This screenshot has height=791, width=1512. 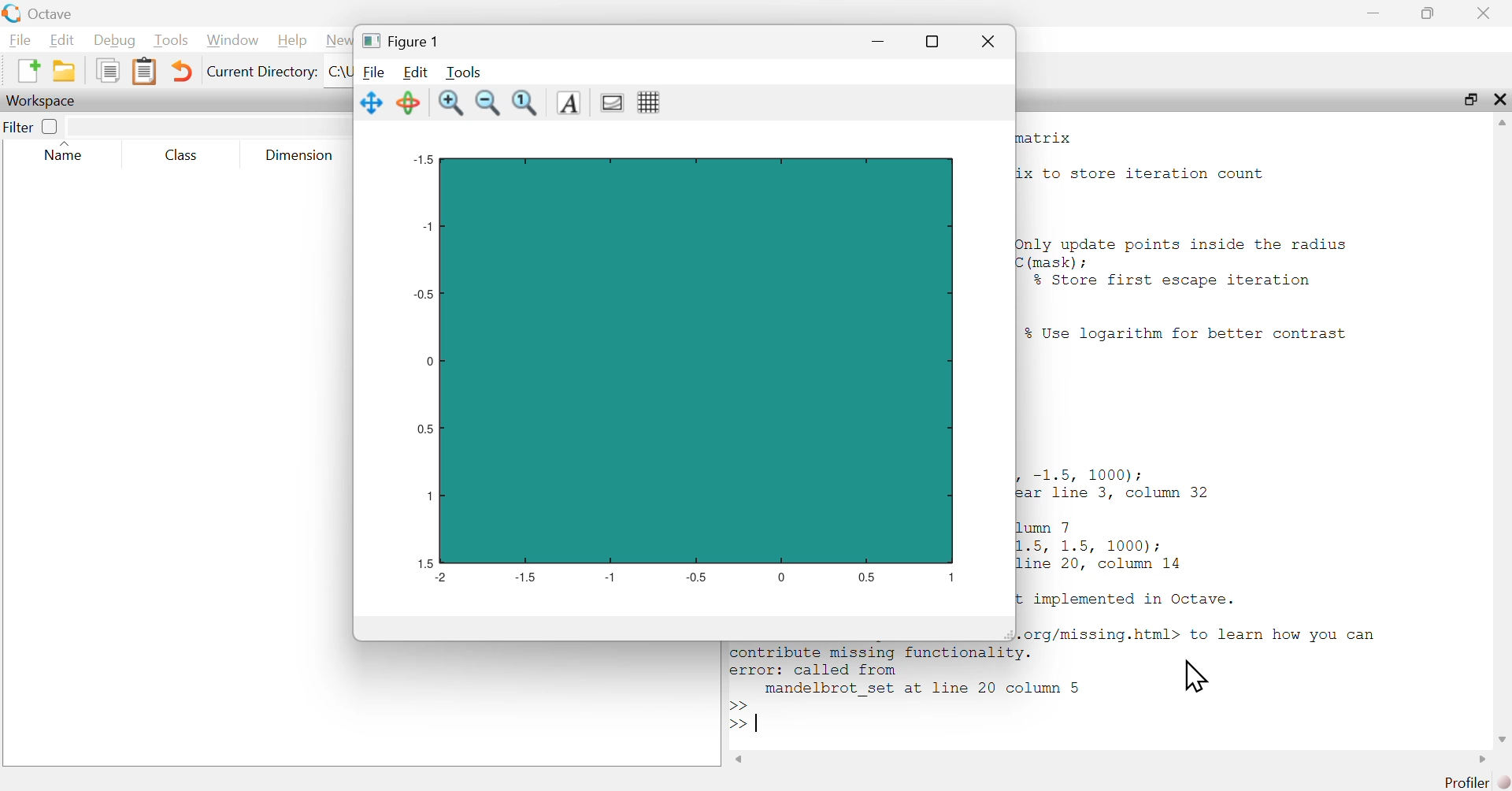 What do you see at coordinates (650, 103) in the screenshot?
I see `toggle grid view` at bounding box center [650, 103].